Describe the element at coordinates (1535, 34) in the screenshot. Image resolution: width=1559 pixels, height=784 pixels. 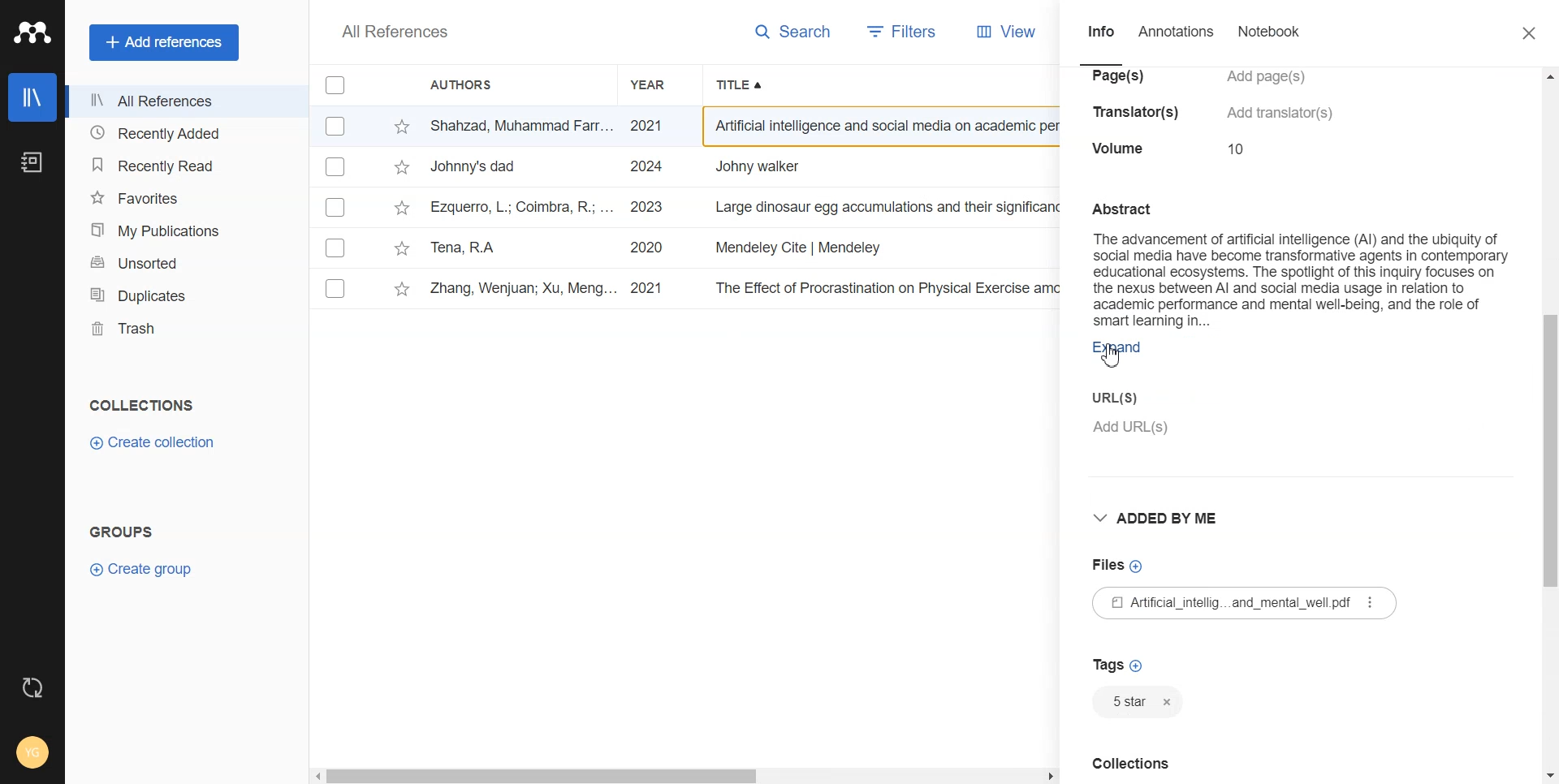
I see `Close` at that location.